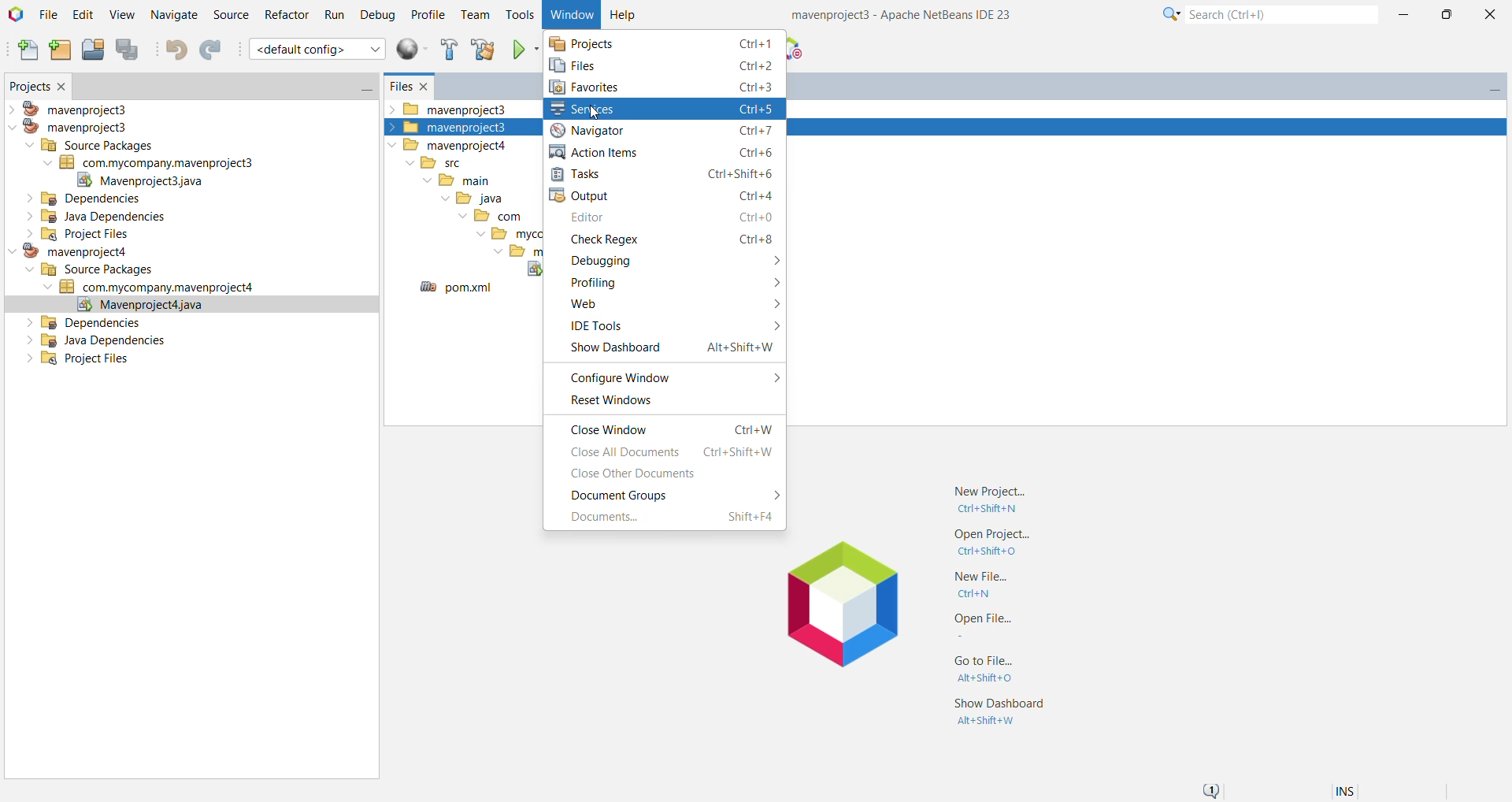  What do you see at coordinates (670, 219) in the screenshot?
I see `Editor` at bounding box center [670, 219].